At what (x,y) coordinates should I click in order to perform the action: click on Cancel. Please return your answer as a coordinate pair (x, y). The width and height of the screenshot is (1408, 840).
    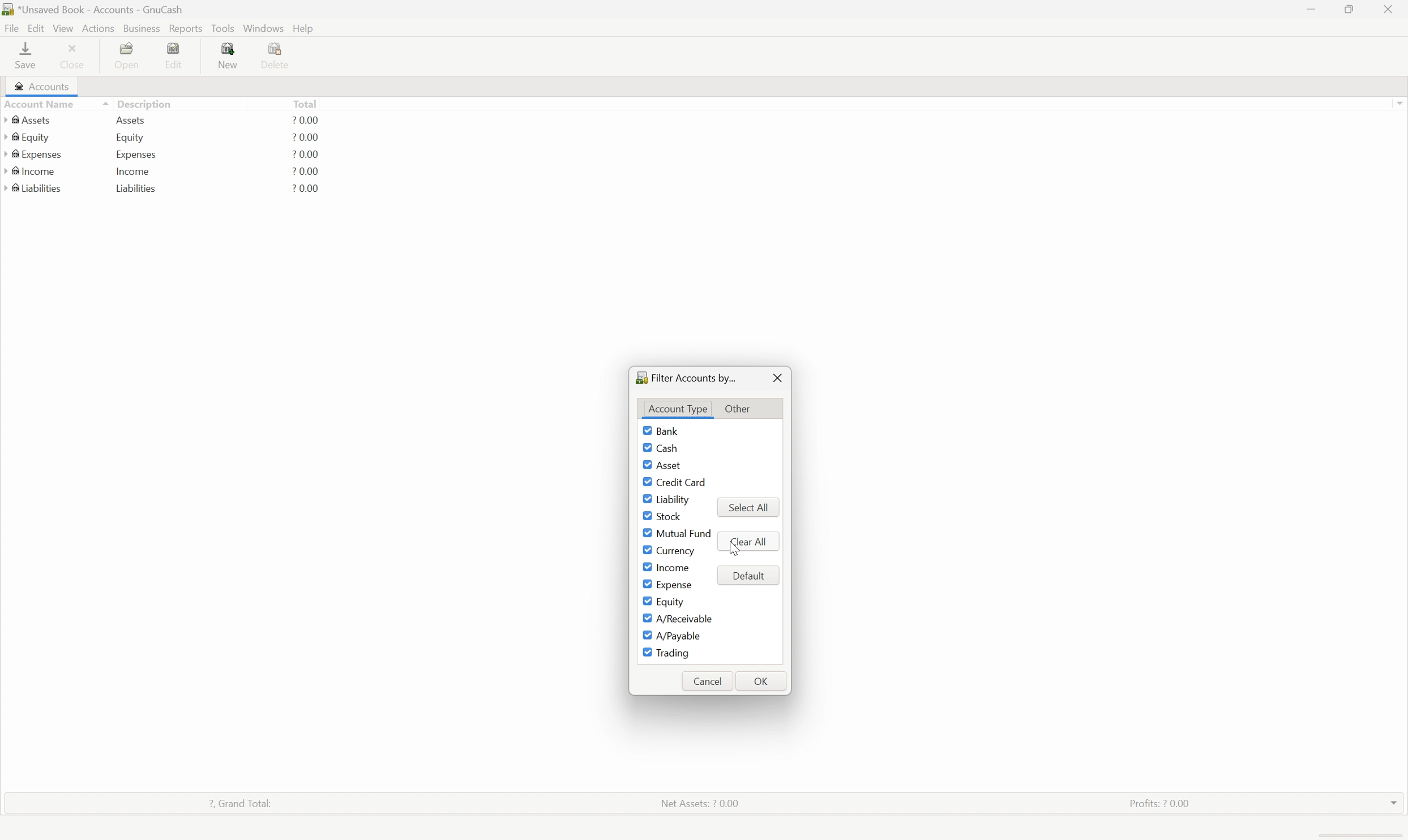
    Looking at the image, I should click on (709, 679).